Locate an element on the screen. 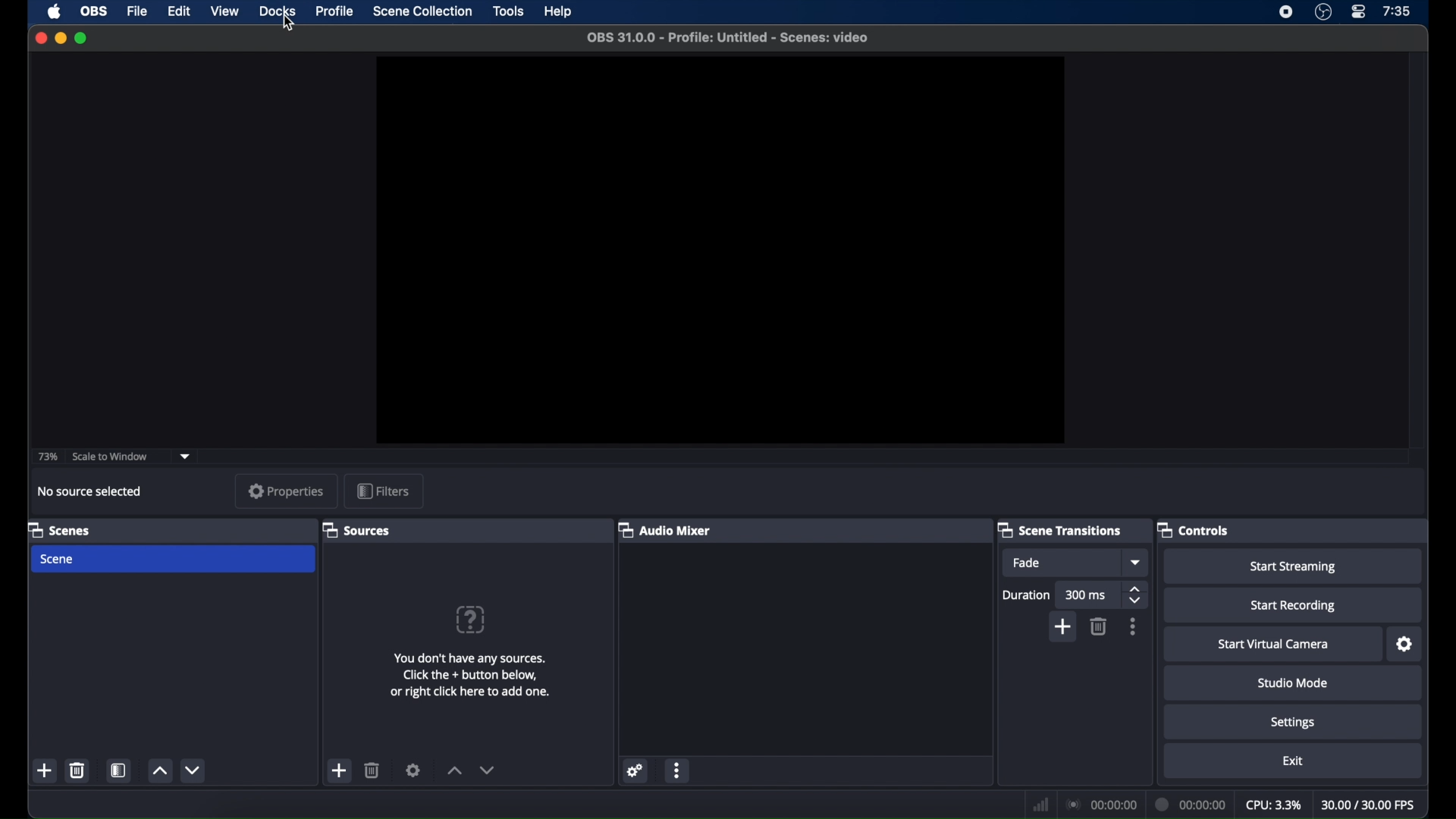 Image resolution: width=1456 pixels, height=819 pixels. cpu 3.3% is located at coordinates (1273, 805).